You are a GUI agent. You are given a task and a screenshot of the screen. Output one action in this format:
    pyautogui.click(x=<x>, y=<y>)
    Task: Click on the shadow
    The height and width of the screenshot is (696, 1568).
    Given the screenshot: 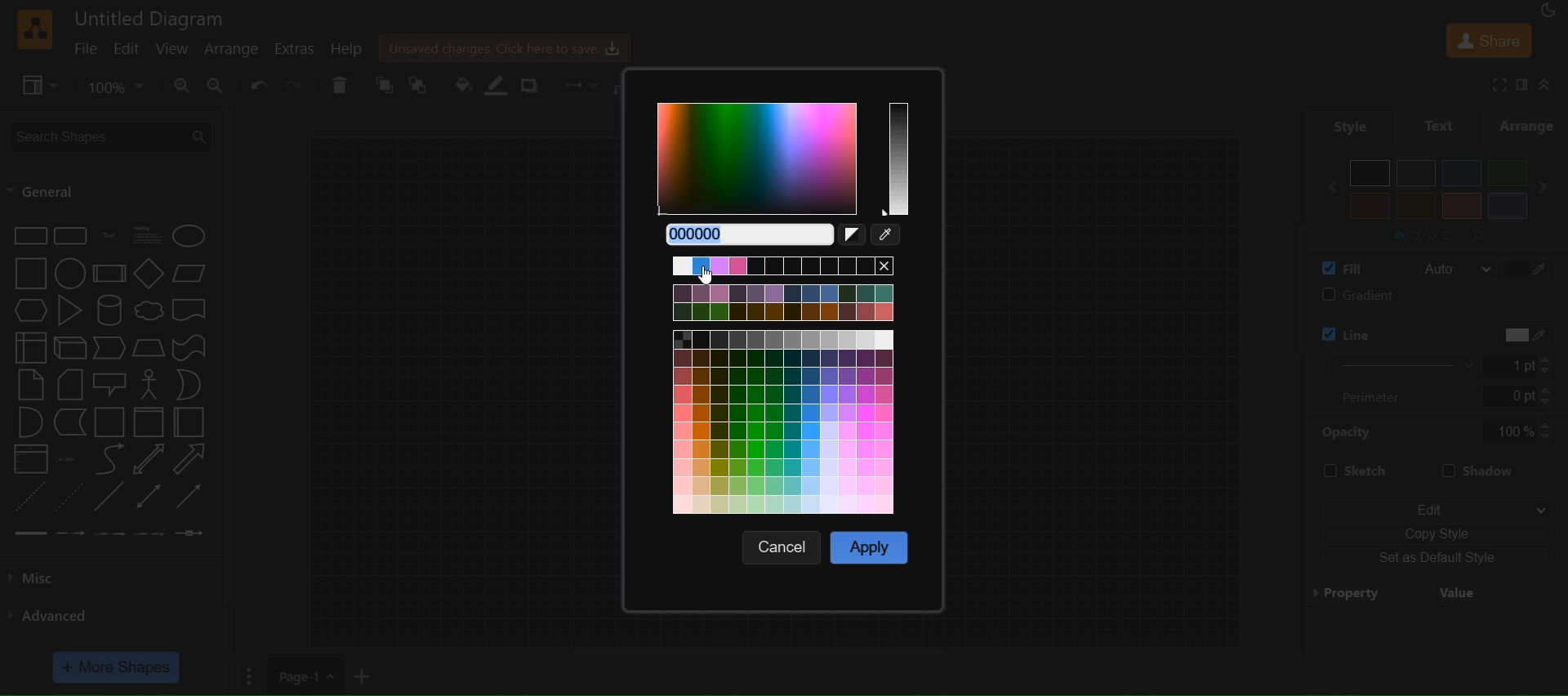 What is the action you would take?
    pyautogui.click(x=1486, y=468)
    